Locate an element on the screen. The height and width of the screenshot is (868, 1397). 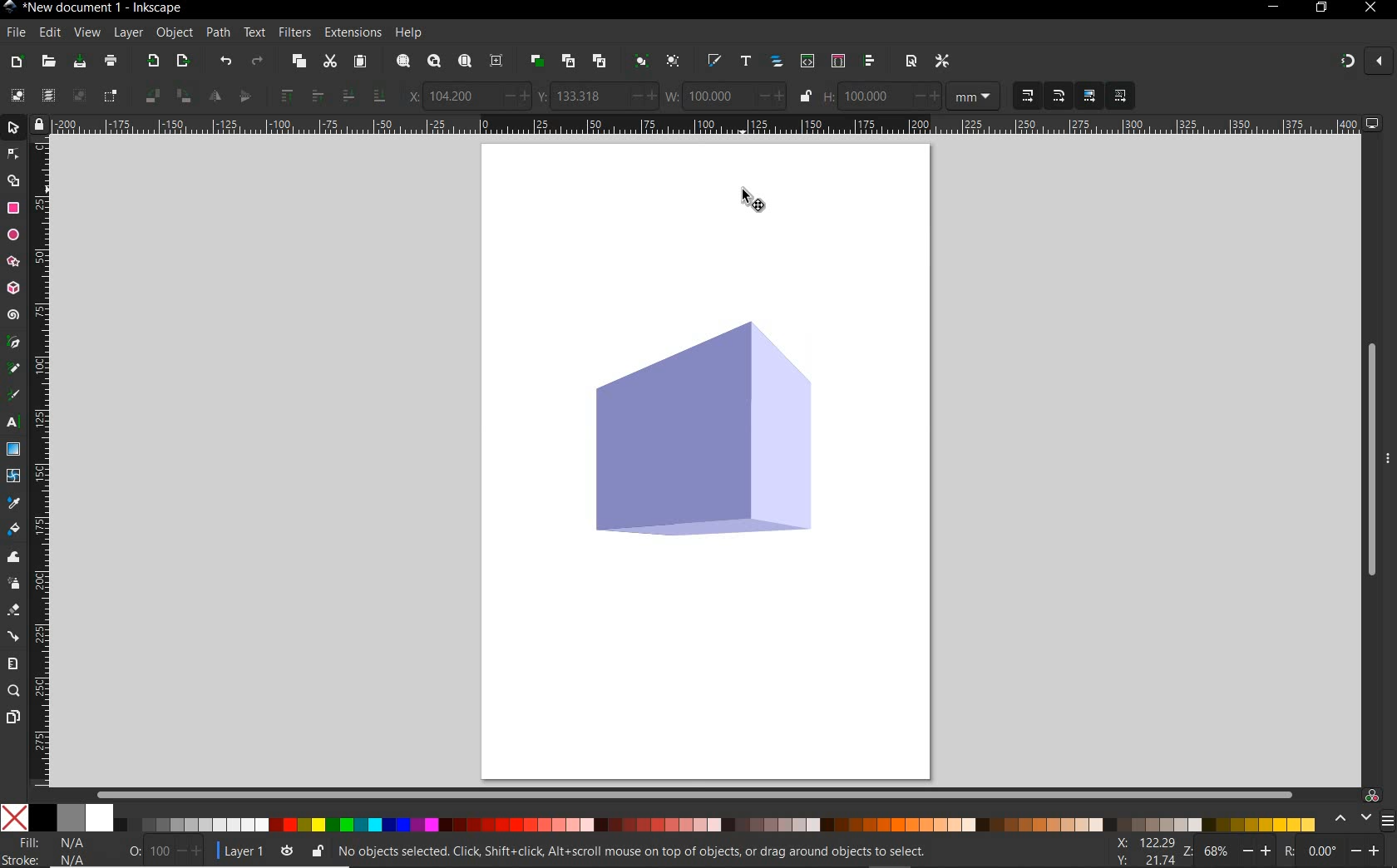
open preferences is located at coordinates (946, 62).